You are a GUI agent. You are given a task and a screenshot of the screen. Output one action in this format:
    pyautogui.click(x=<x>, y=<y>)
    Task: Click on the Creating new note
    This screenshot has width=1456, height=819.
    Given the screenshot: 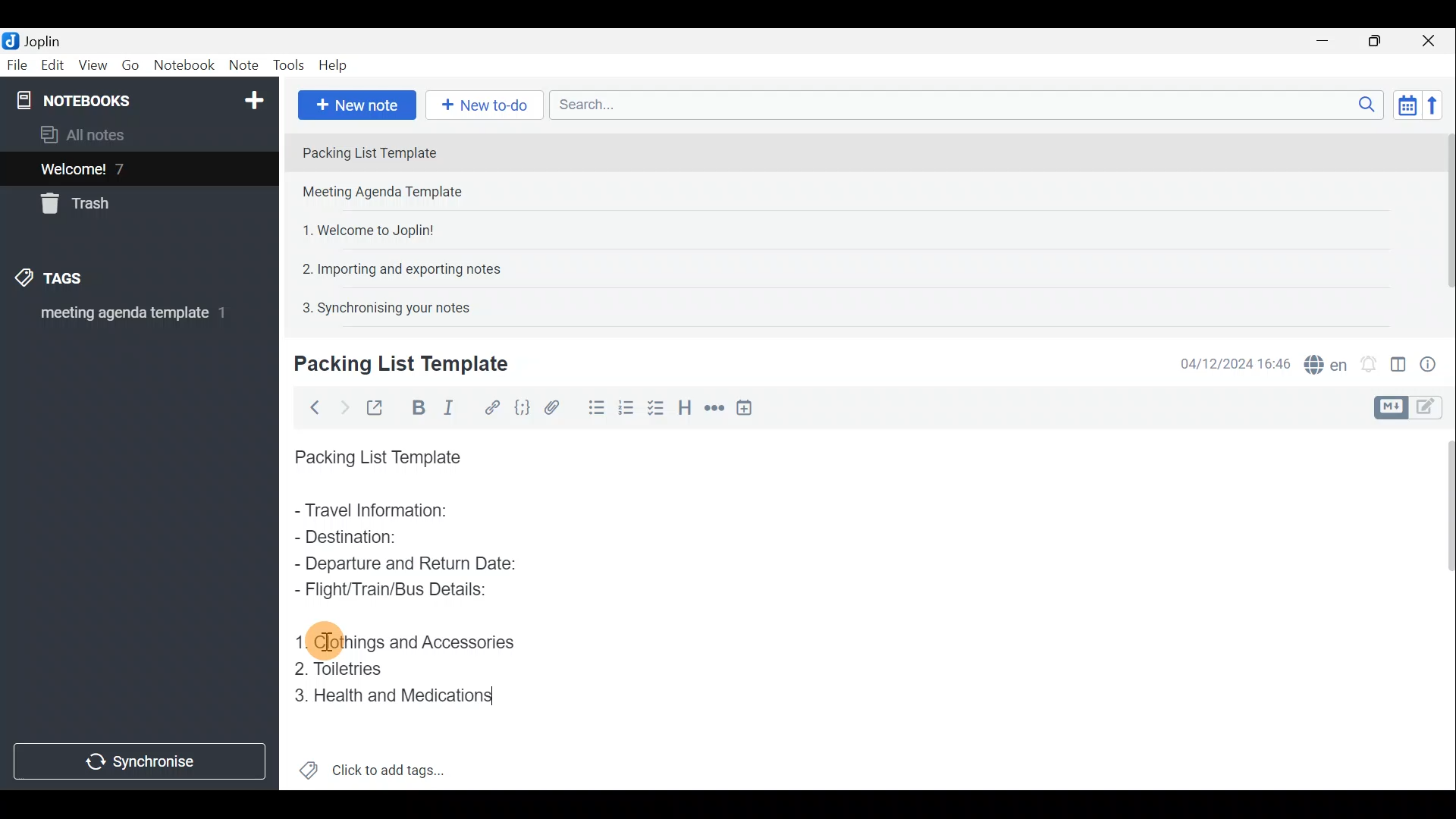 What is the action you would take?
    pyautogui.click(x=392, y=365)
    